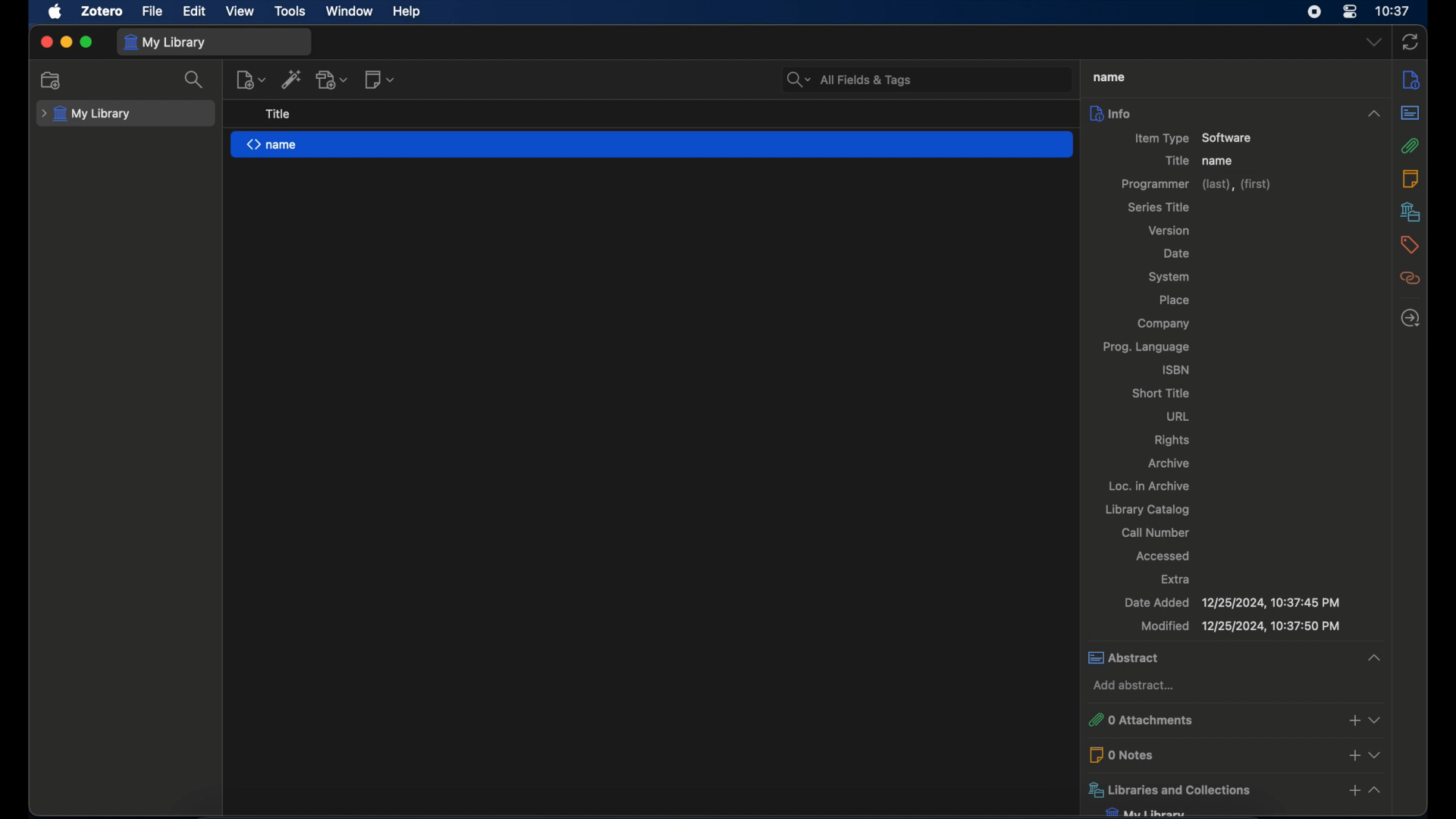 The image size is (1456, 819). What do you see at coordinates (1197, 184) in the screenshot?
I see `programmer` at bounding box center [1197, 184].